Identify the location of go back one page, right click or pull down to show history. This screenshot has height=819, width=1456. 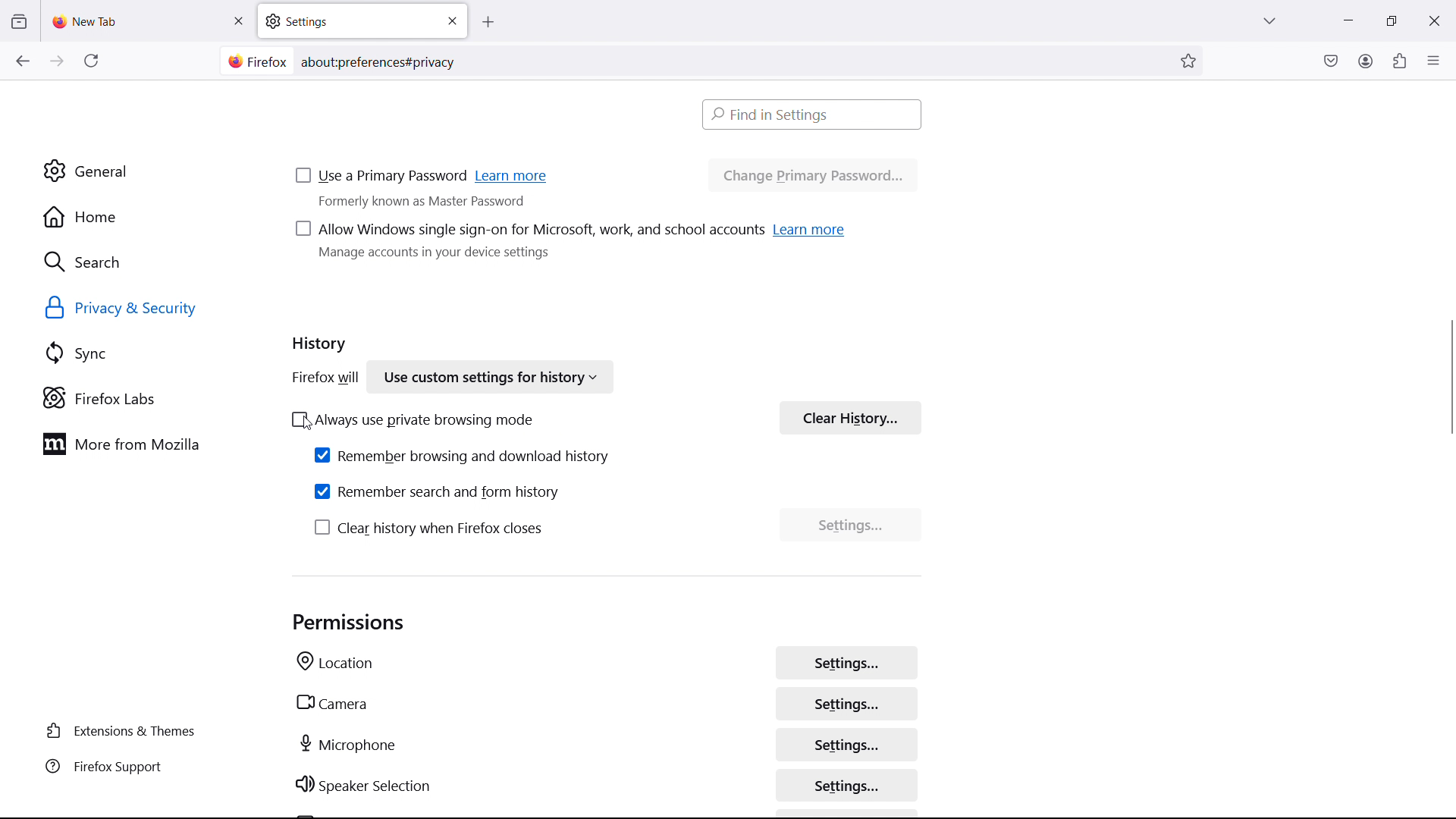
(22, 61).